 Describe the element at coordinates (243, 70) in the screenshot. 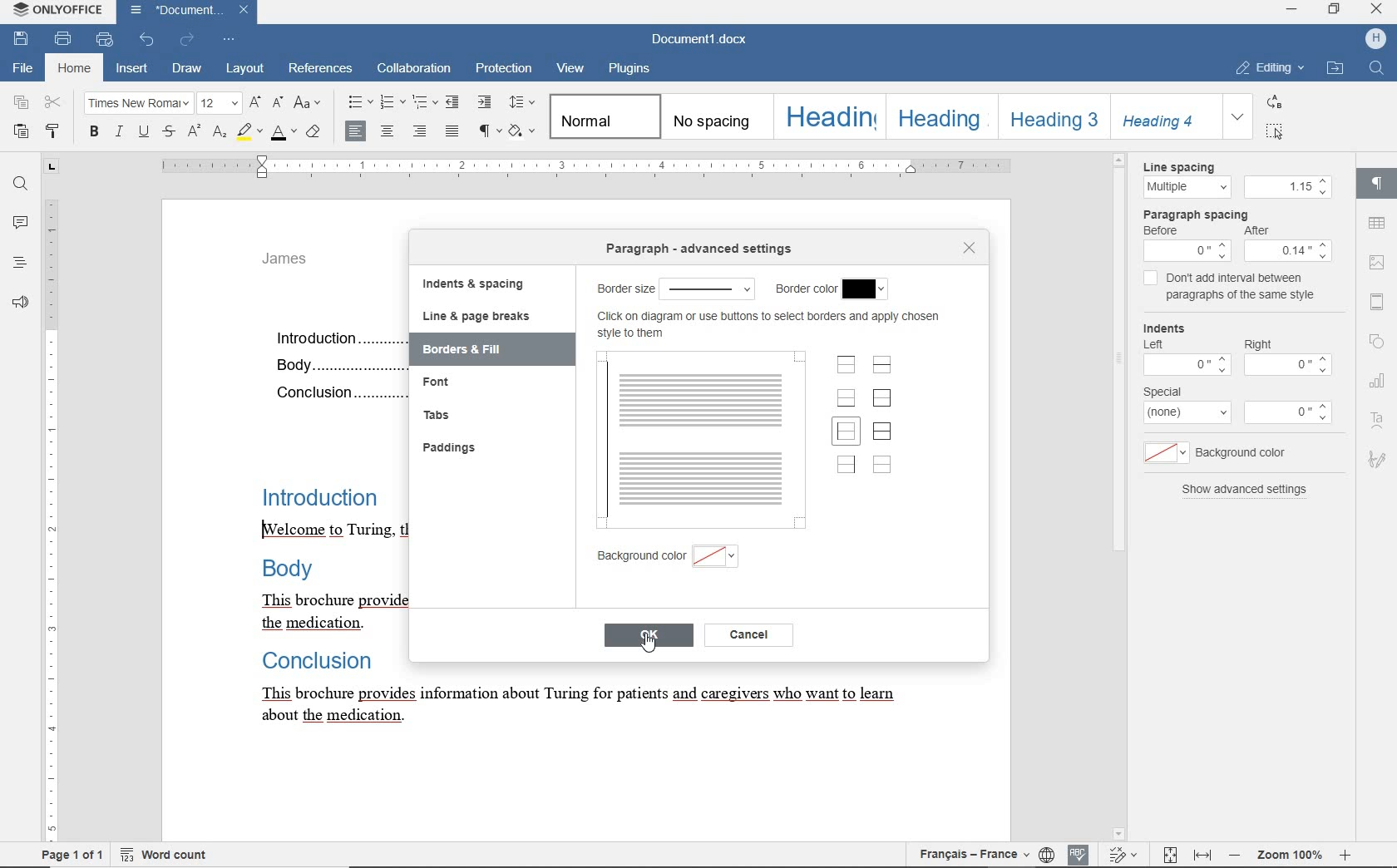

I see `layout` at that location.